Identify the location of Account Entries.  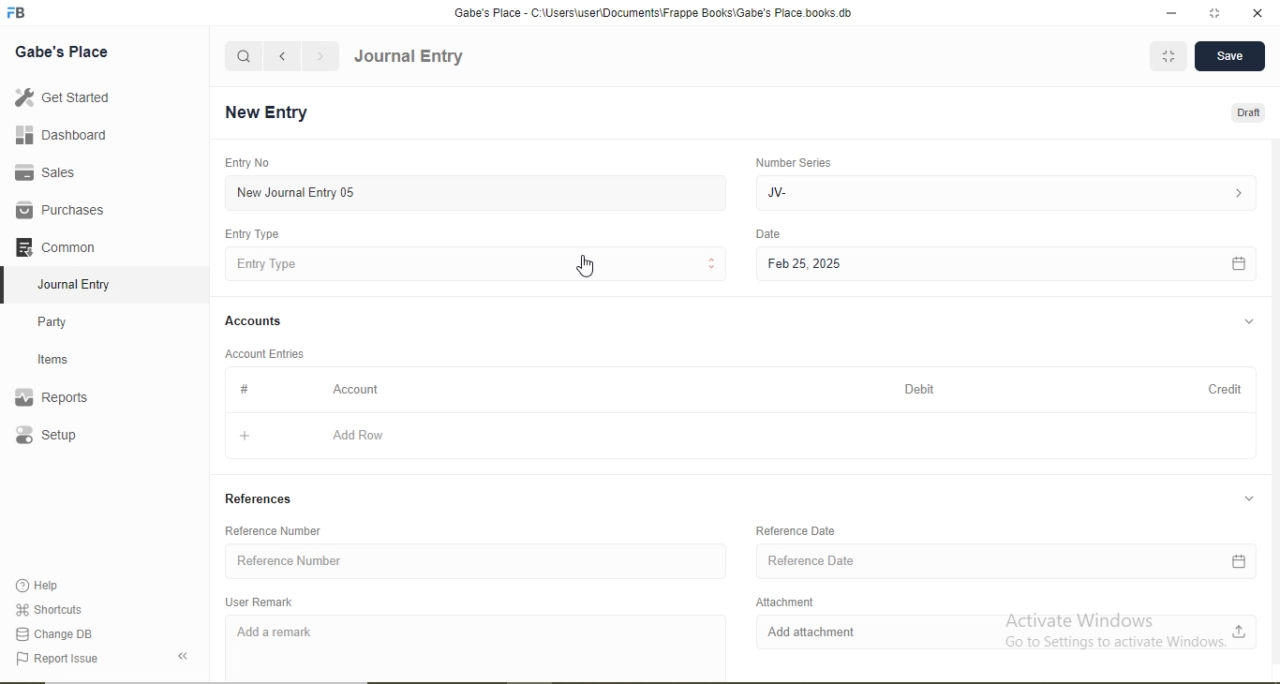
(263, 352).